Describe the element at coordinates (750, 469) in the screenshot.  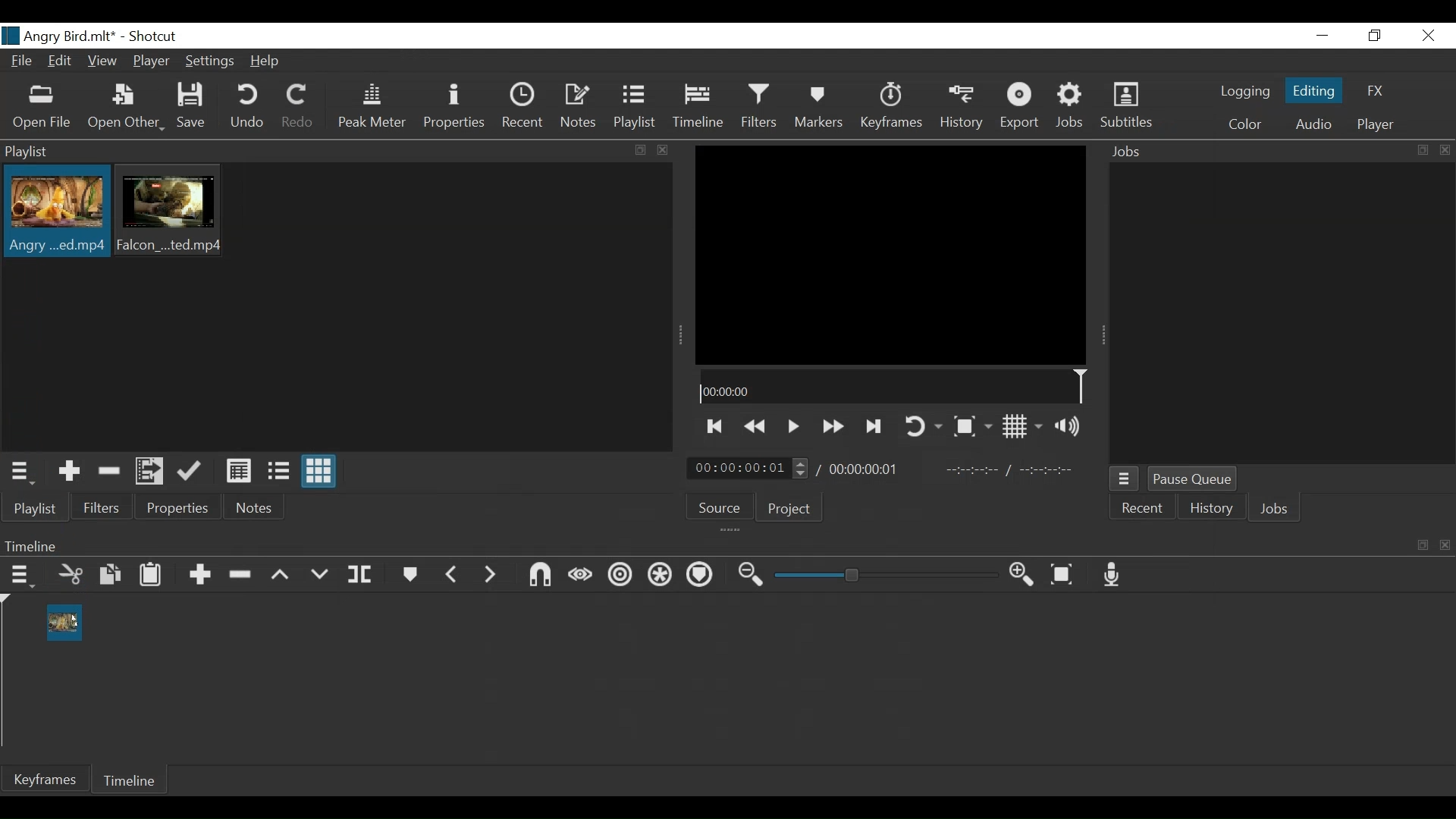
I see `Current position` at that location.